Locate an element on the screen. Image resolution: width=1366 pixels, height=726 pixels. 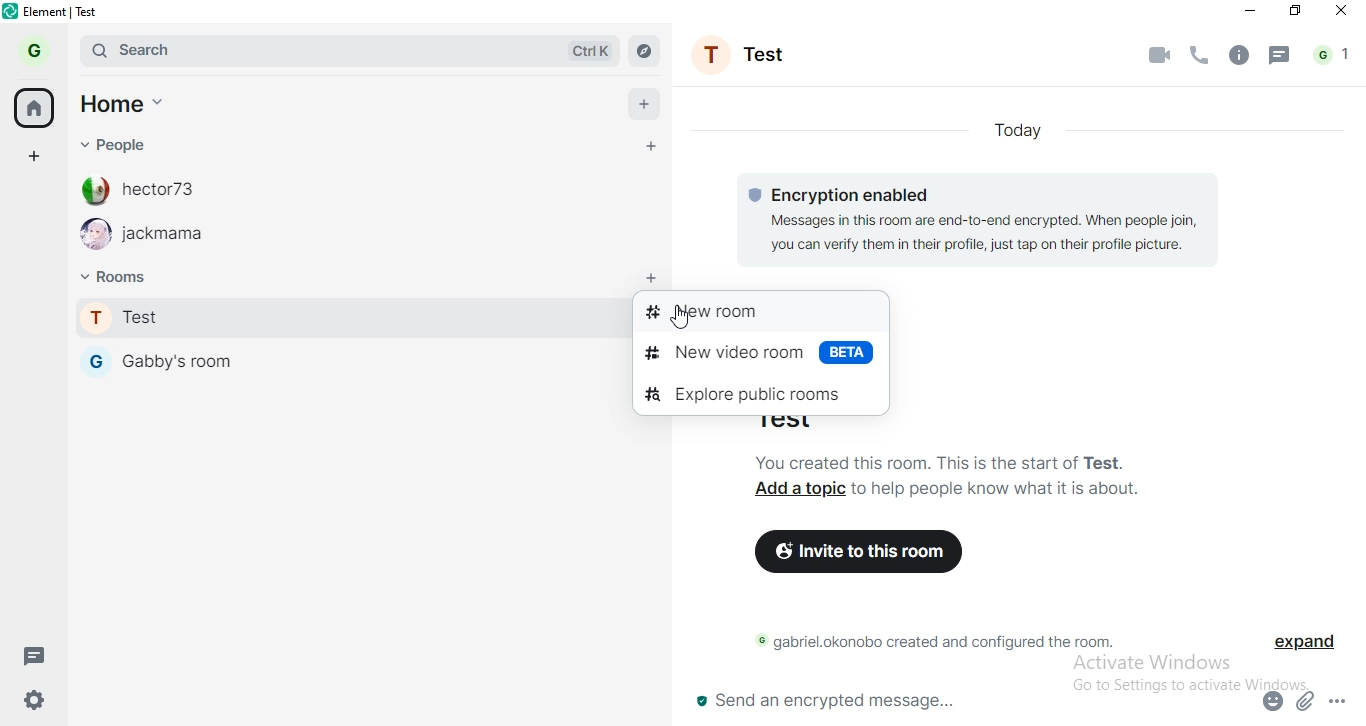
expand is located at coordinates (1305, 641).